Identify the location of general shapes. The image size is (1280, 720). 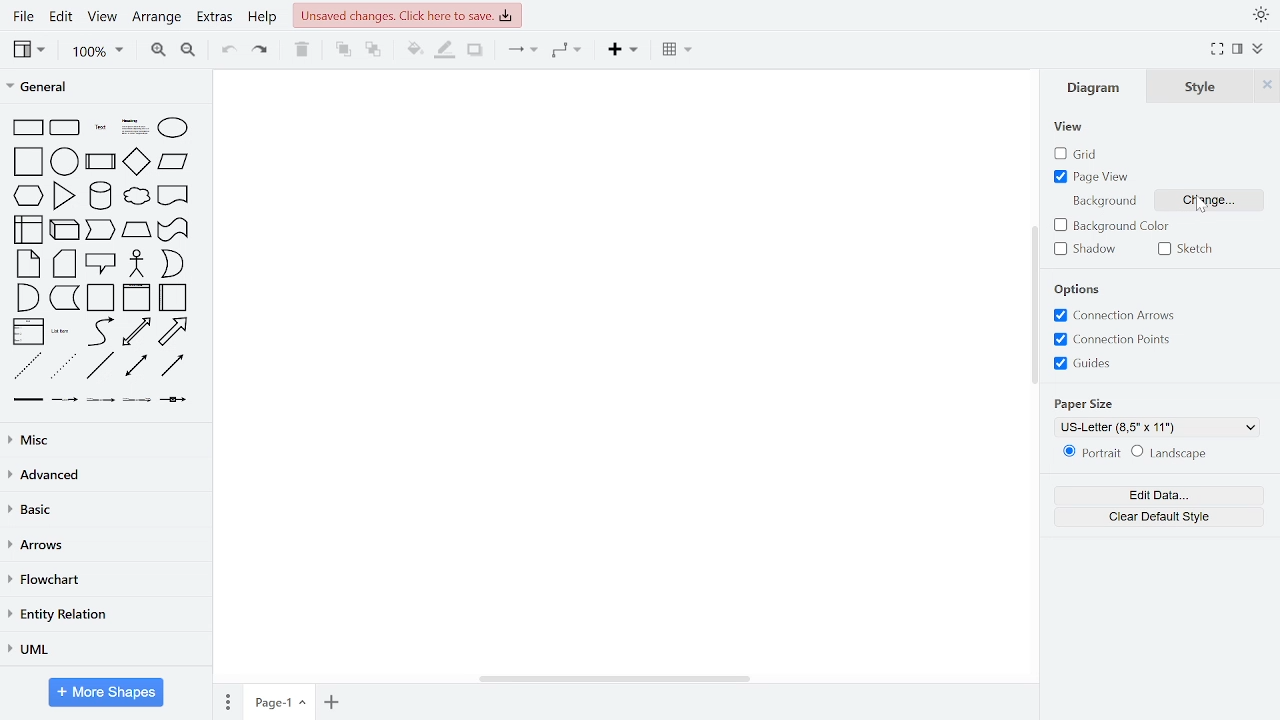
(101, 401).